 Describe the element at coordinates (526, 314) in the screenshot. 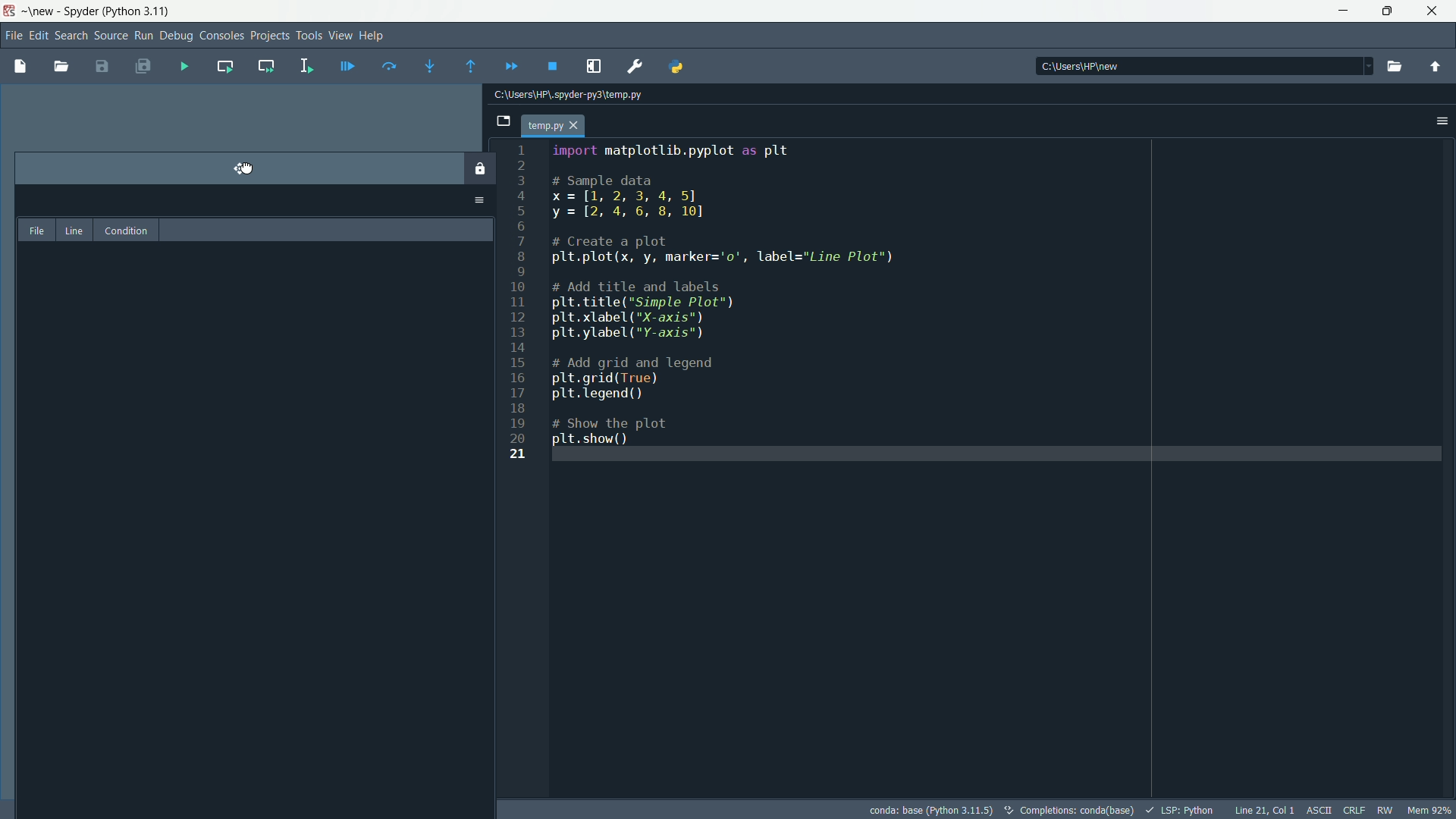

I see `1 2 3 4 5 6 7 8 9 10 11 12 13 14 15 16 17 18 19 20 21` at that location.